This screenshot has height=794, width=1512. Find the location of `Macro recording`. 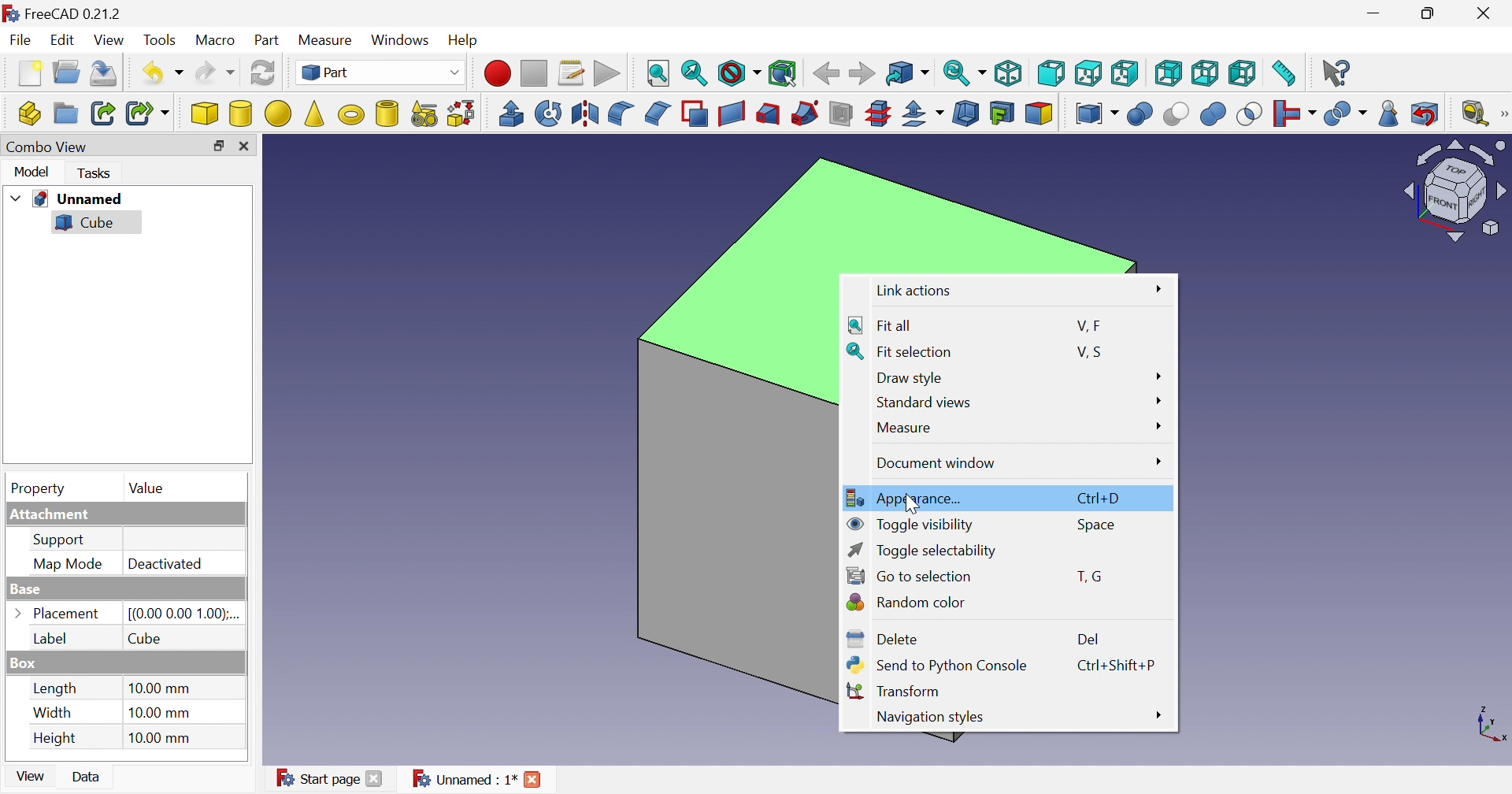

Macro recording is located at coordinates (496, 74).